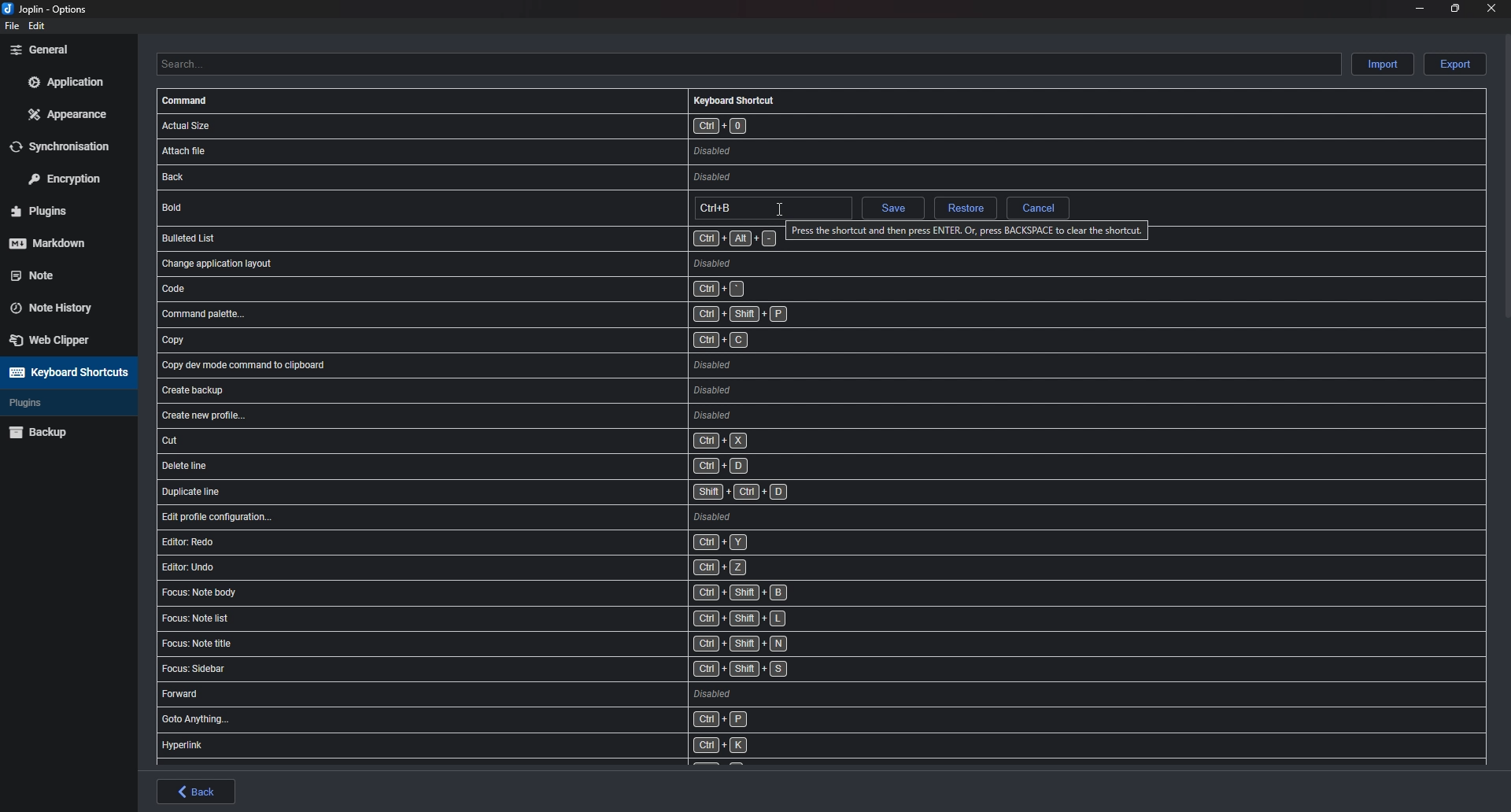  Describe the element at coordinates (892, 210) in the screenshot. I see `save` at that location.